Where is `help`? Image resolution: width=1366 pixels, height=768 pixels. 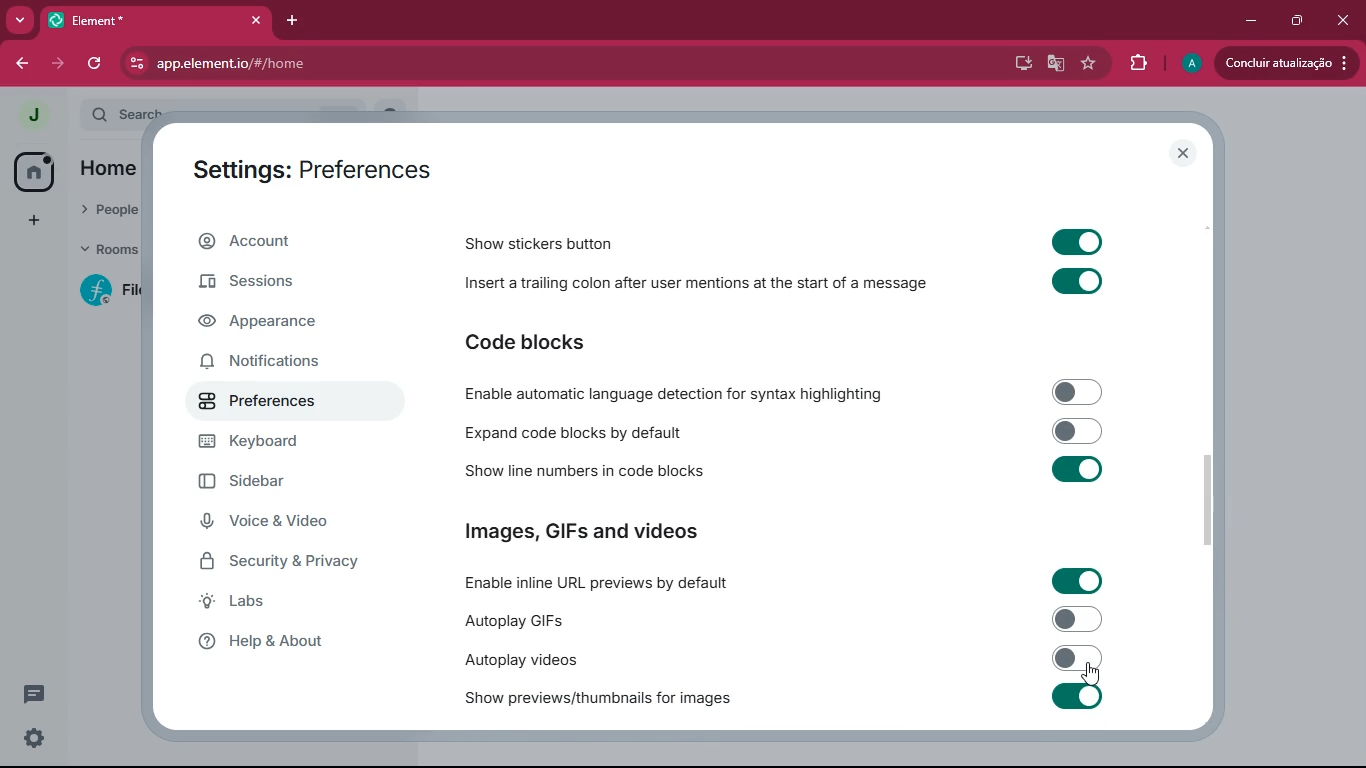 help is located at coordinates (290, 647).